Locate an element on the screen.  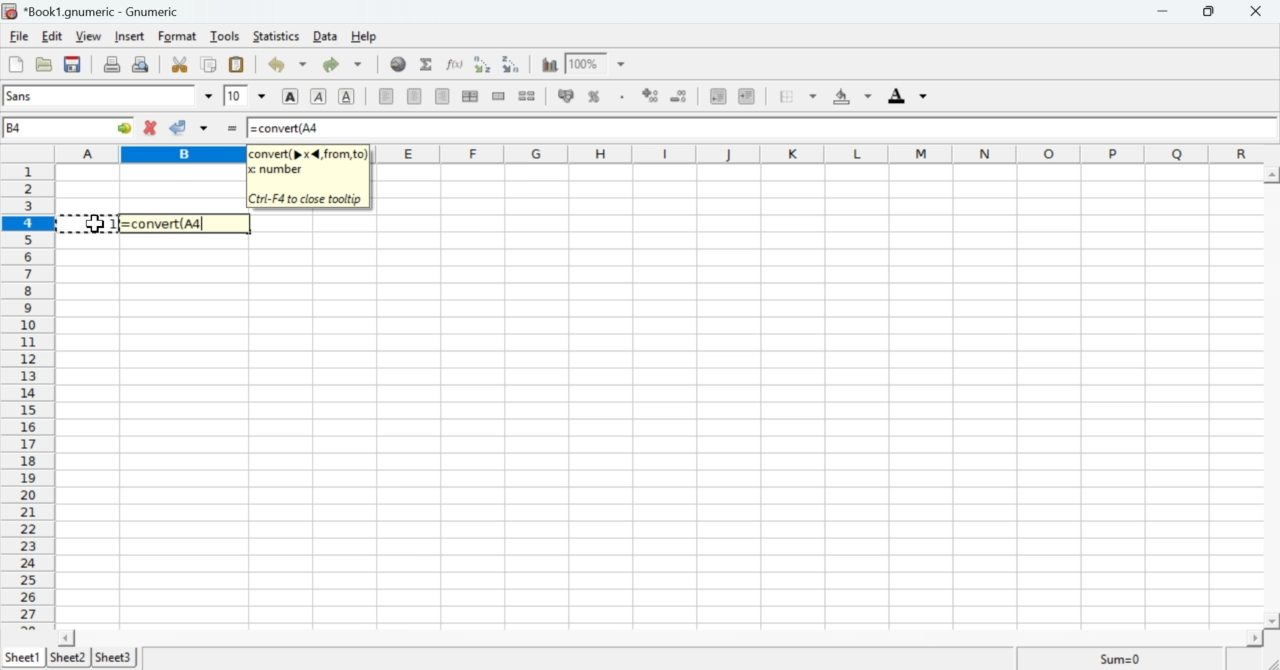
Sort into descending is located at coordinates (511, 64).